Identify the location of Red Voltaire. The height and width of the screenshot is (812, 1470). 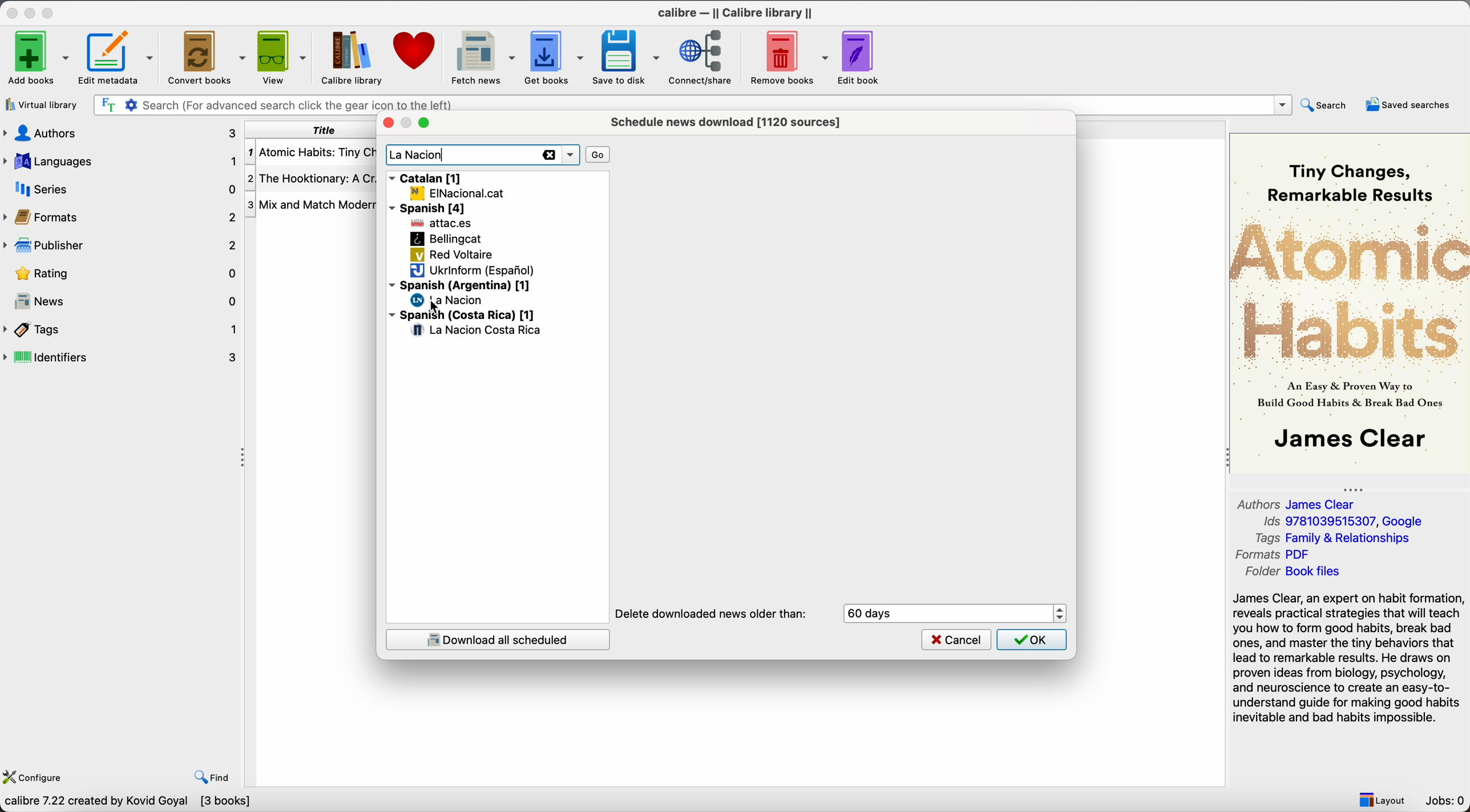
(452, 256).